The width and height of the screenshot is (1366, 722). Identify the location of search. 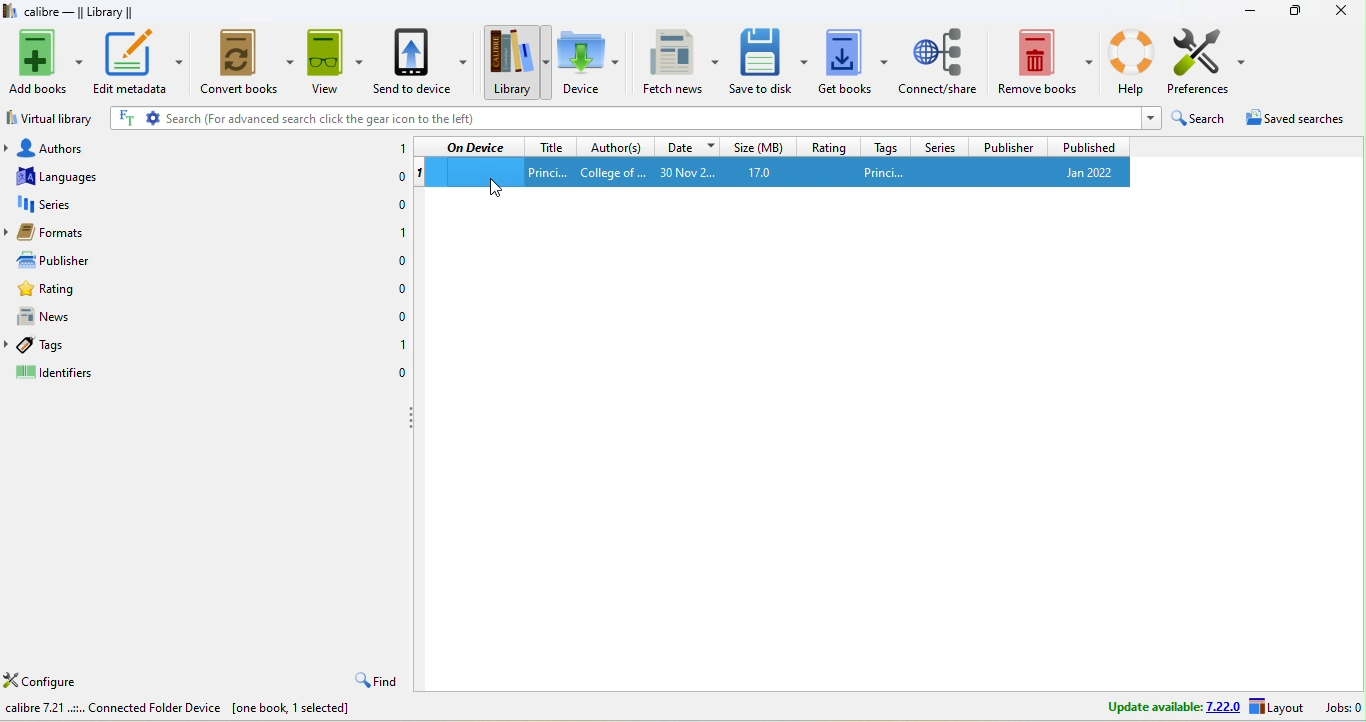
(1200, 121).